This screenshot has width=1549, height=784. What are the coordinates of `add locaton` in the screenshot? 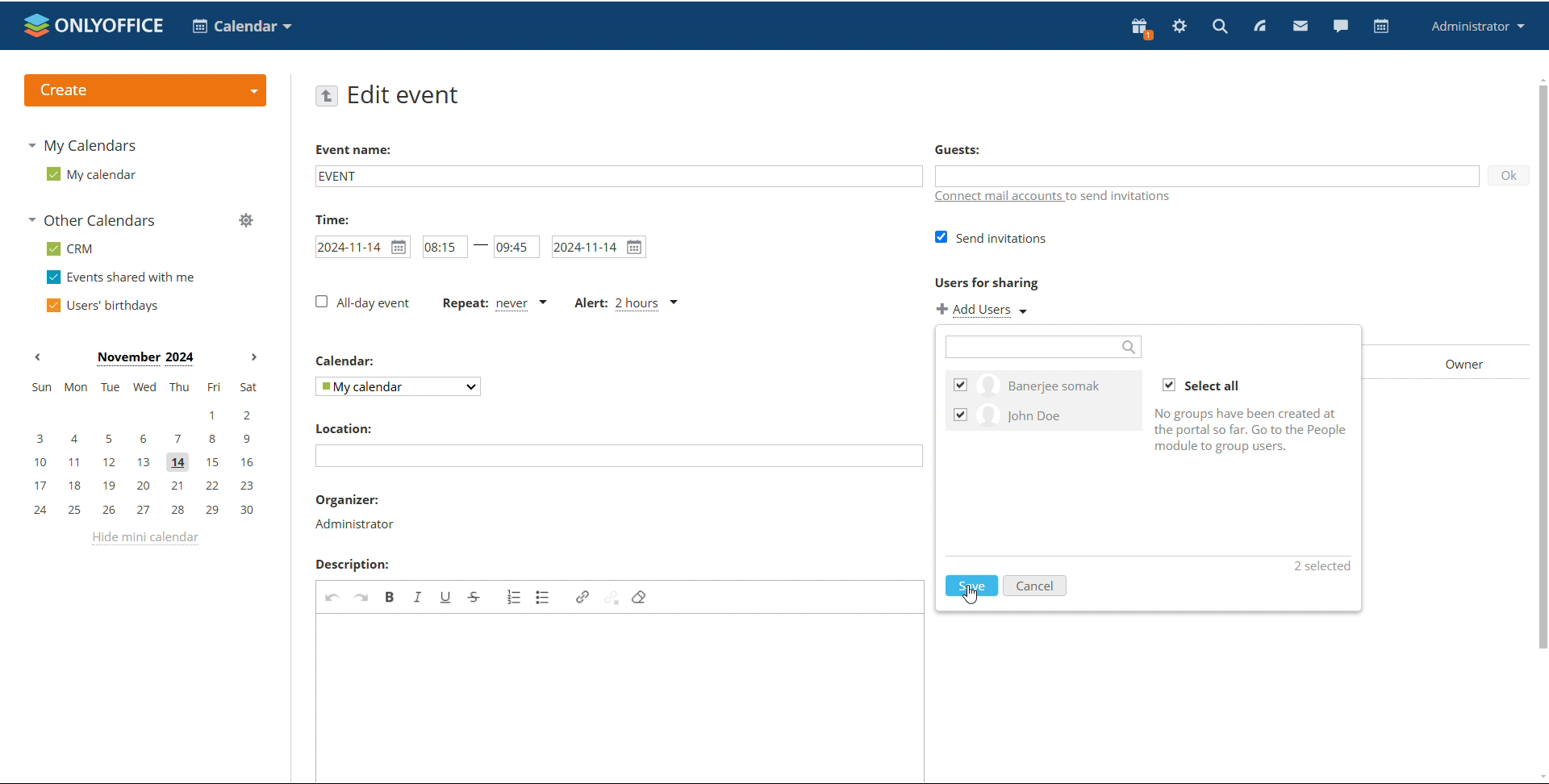 It's located at (619, 456).